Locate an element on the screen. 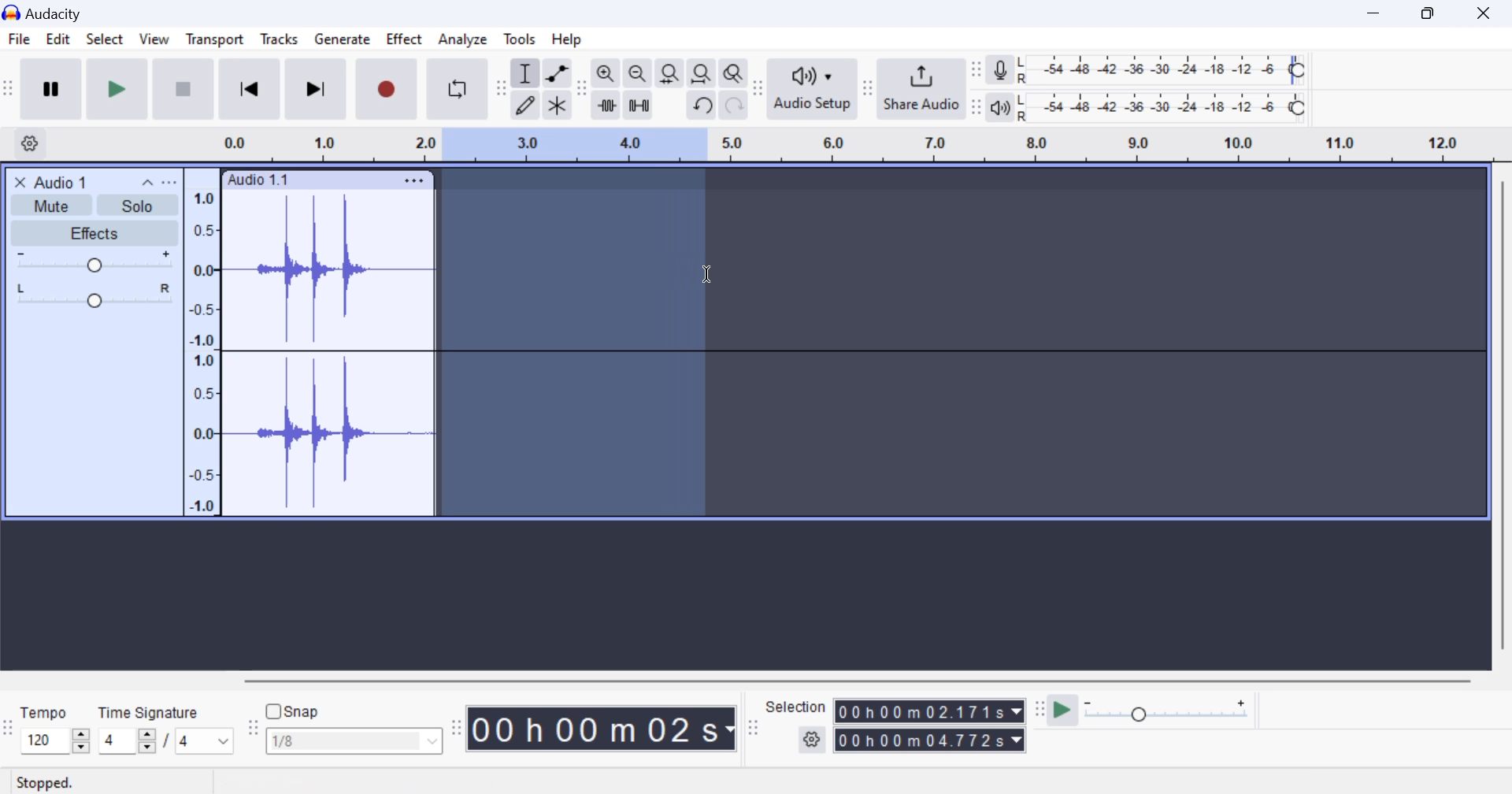  Playback Speed is located at coordinates (1176, 712).